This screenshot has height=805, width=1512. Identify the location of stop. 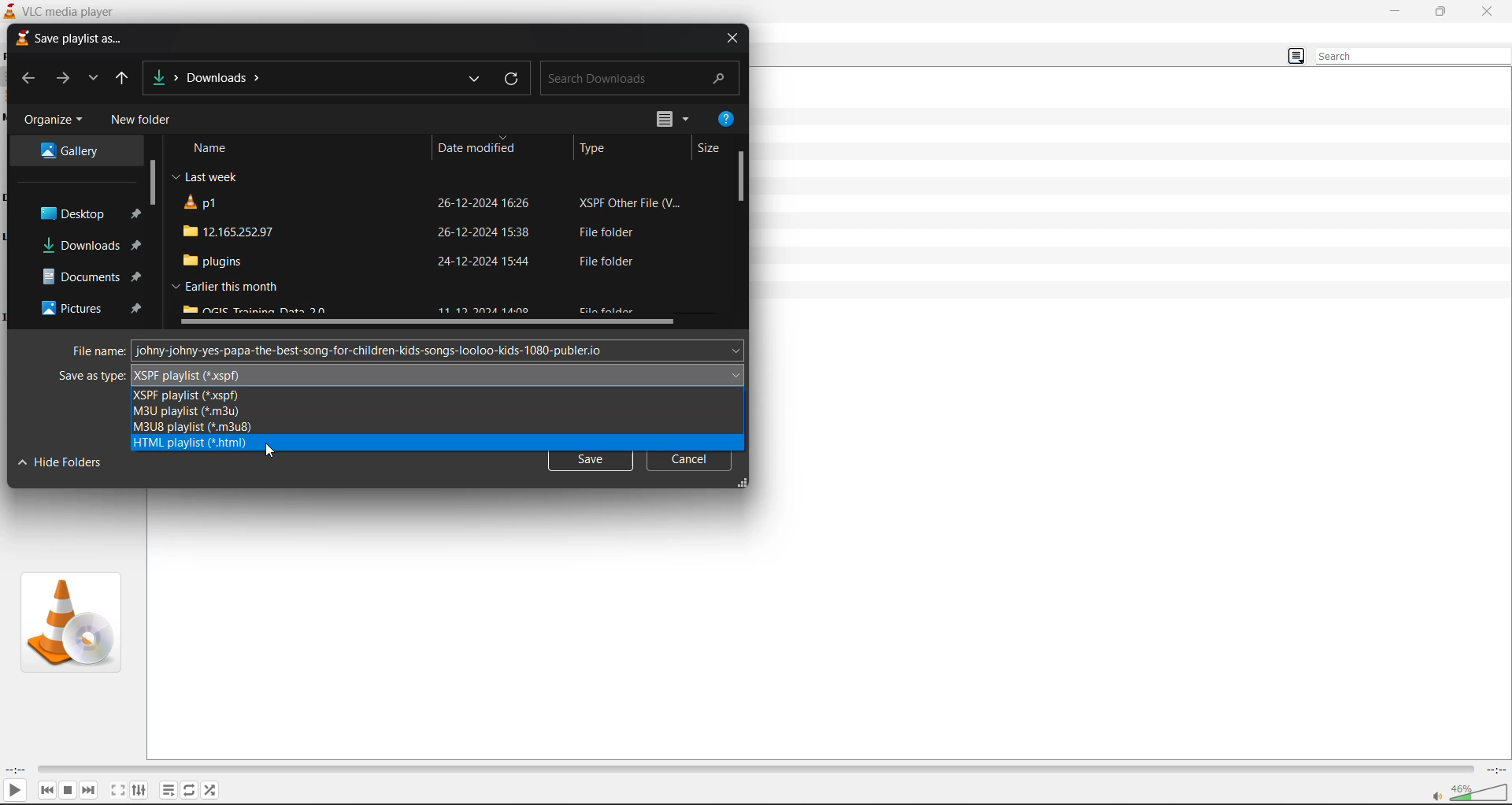
(69, 791).